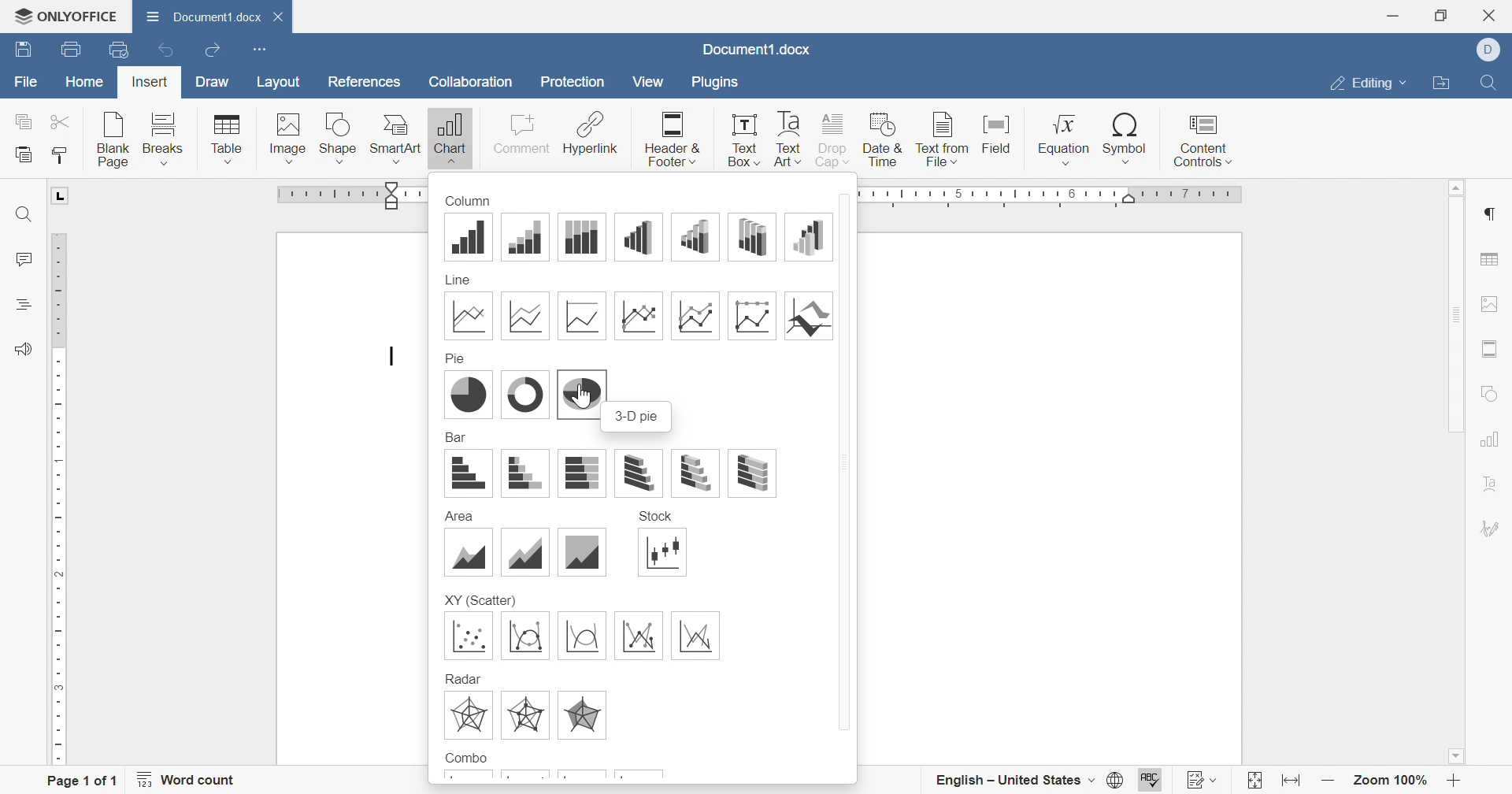  I want to click on 100% stacked lines with markers, so click(752, 314).